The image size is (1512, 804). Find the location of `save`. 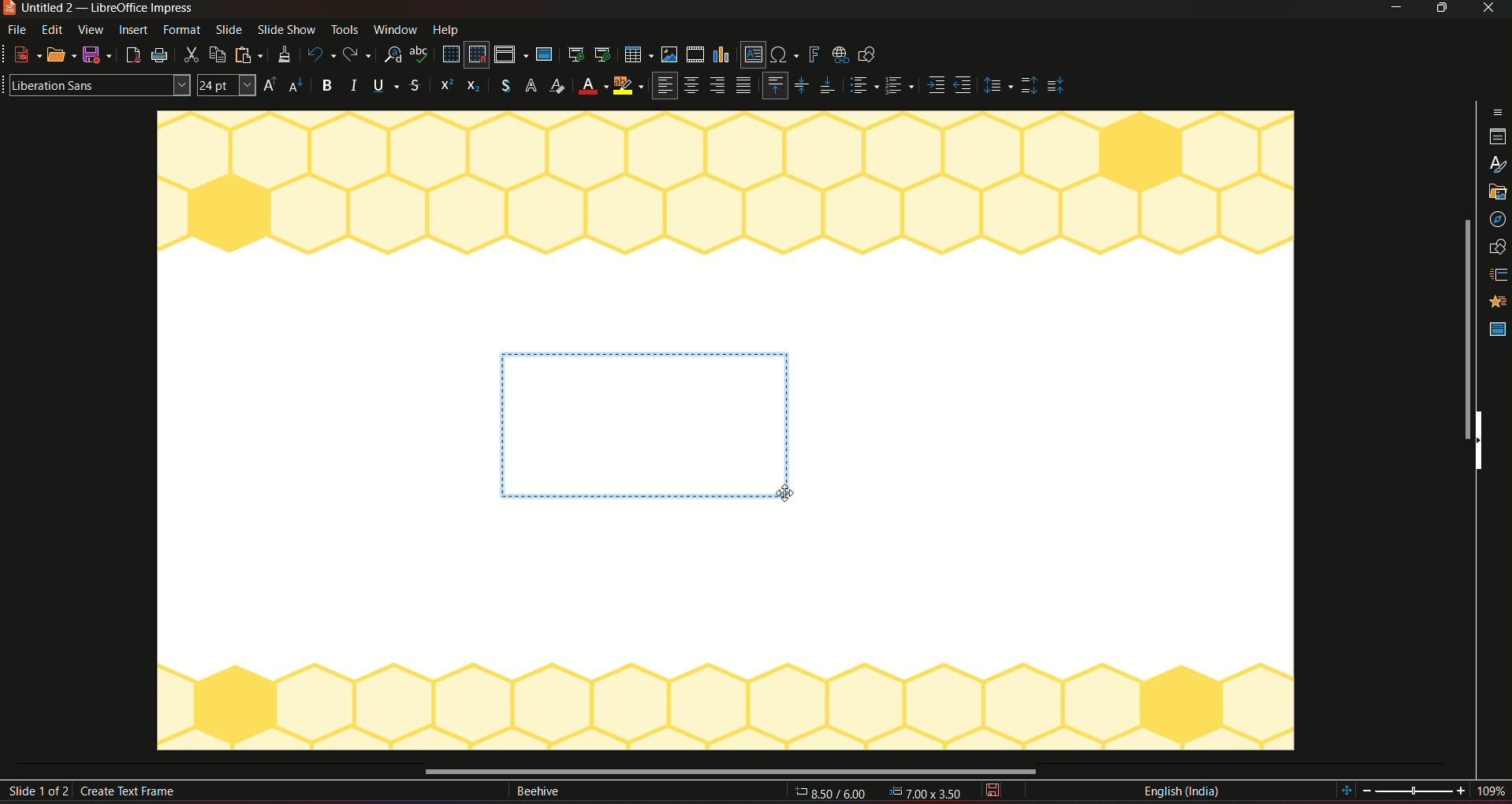

save is located at coordinates (97, 54).